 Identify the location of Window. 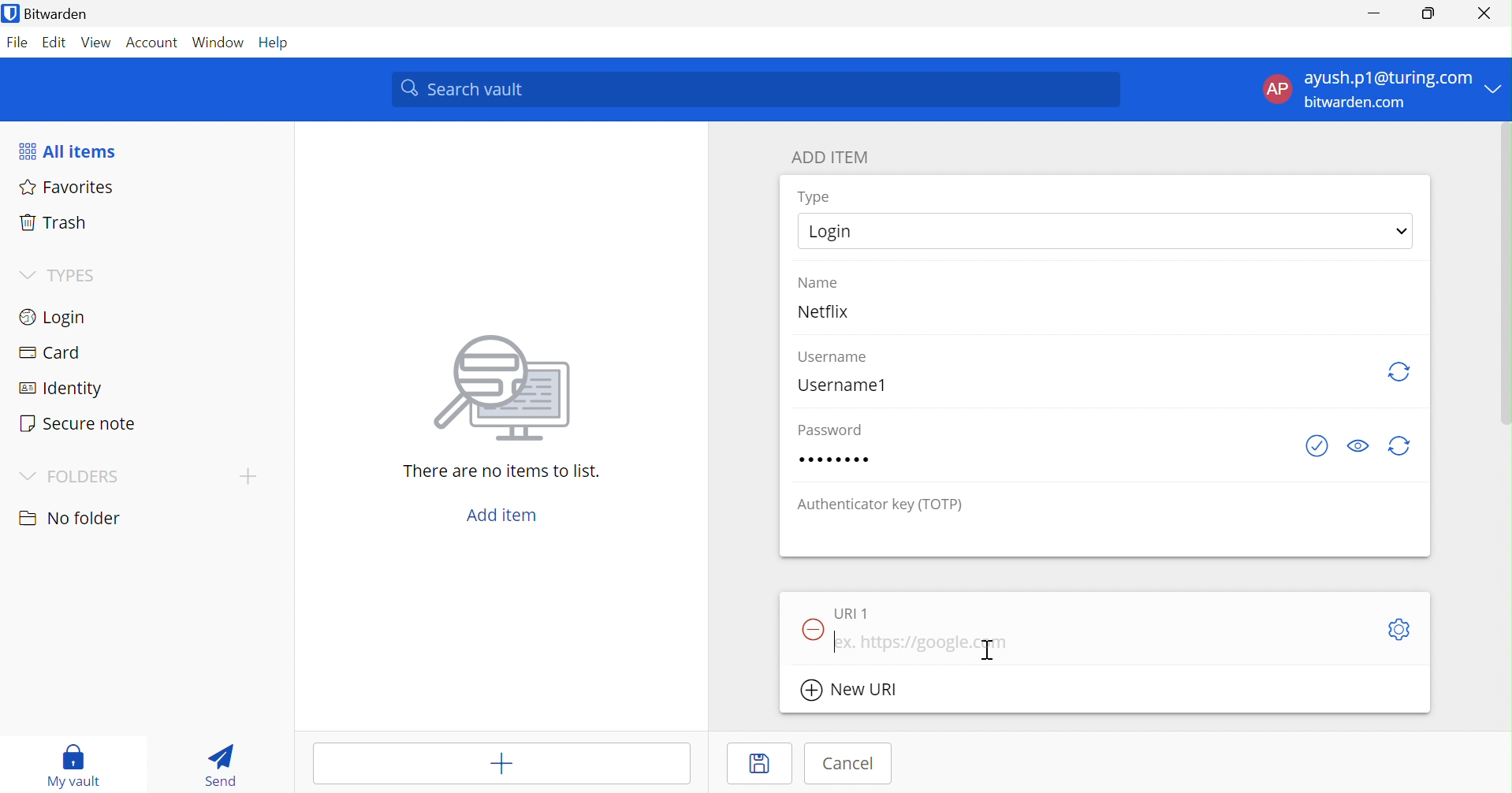
(218, 43).